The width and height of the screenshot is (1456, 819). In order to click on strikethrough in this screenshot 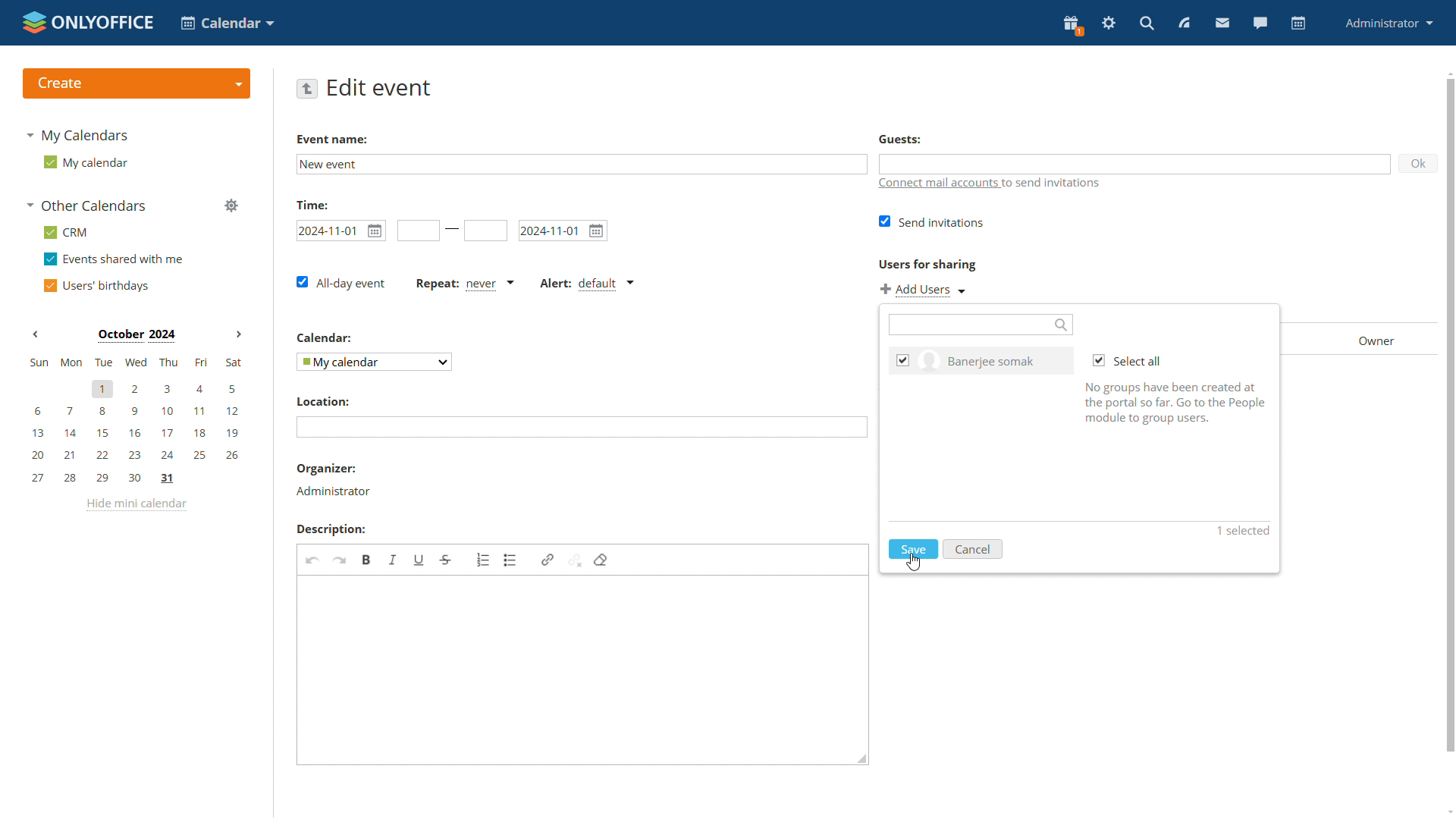, I will do `click(445, 560)`.